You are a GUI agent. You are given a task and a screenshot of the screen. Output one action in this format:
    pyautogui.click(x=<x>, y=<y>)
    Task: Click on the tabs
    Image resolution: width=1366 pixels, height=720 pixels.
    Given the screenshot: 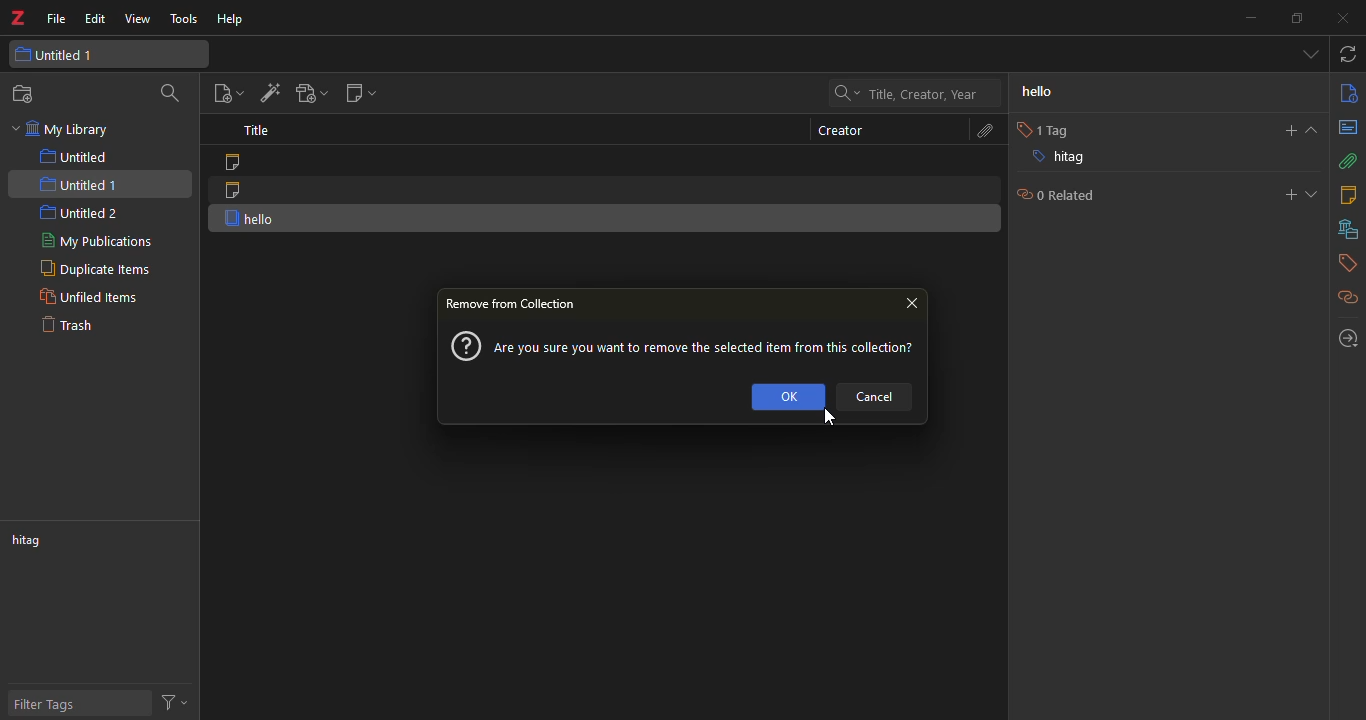 What is the action you would take?
    pyautogui.click(x=1309, y=53)
    